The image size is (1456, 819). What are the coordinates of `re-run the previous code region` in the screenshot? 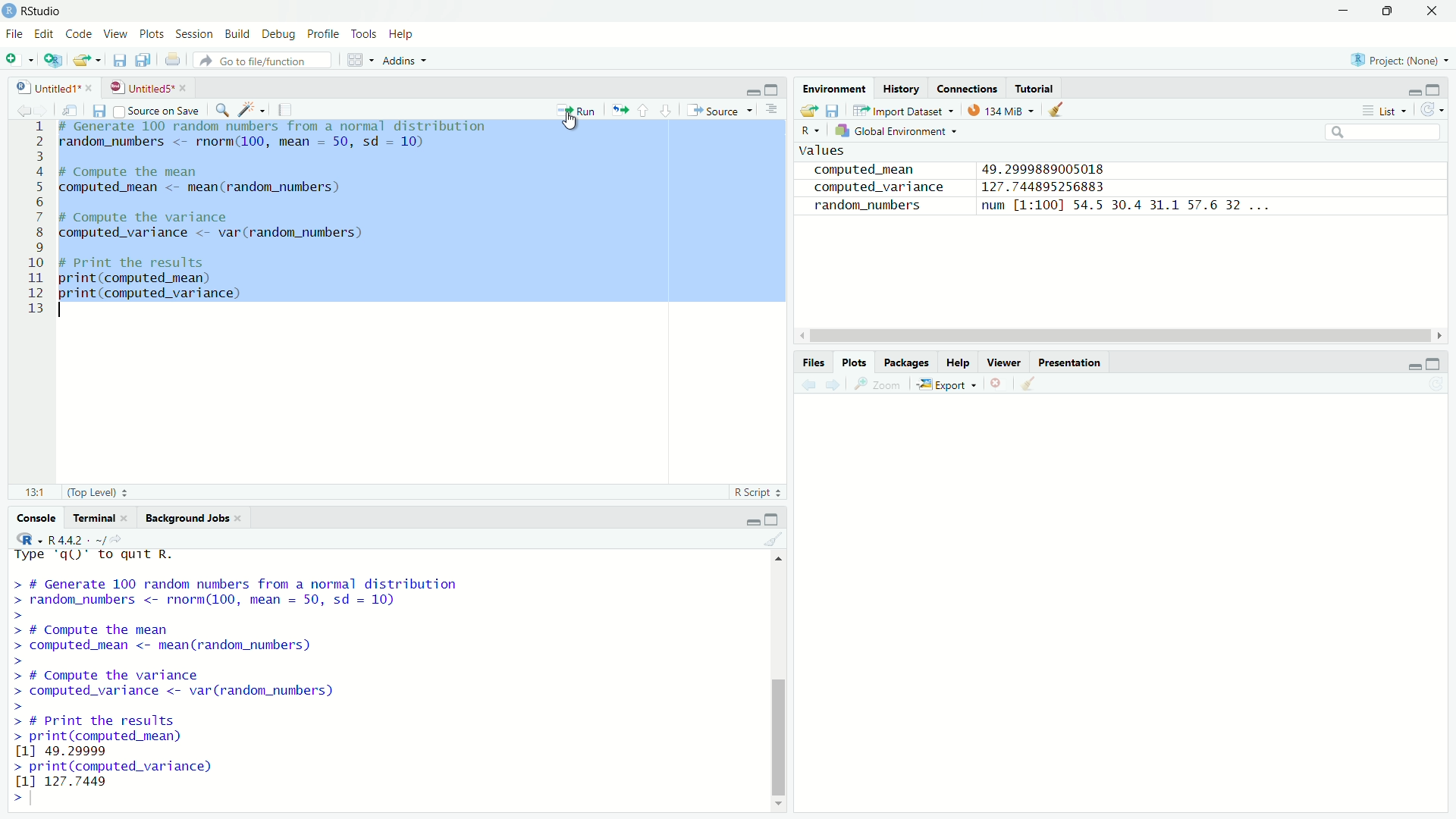 It's located at (618, 111).